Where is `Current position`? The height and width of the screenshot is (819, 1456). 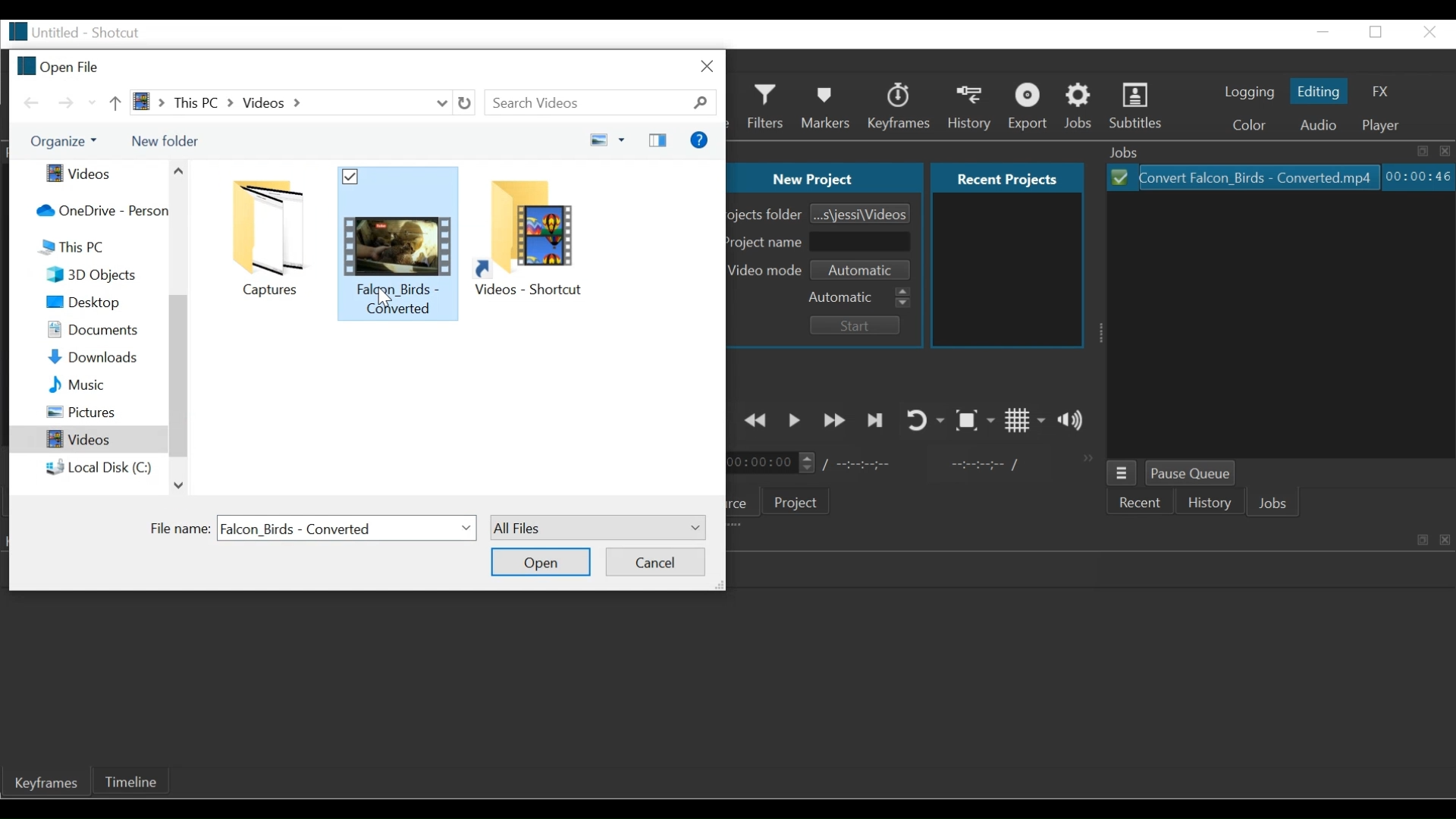 Current position is located at coordinates (773, 465).